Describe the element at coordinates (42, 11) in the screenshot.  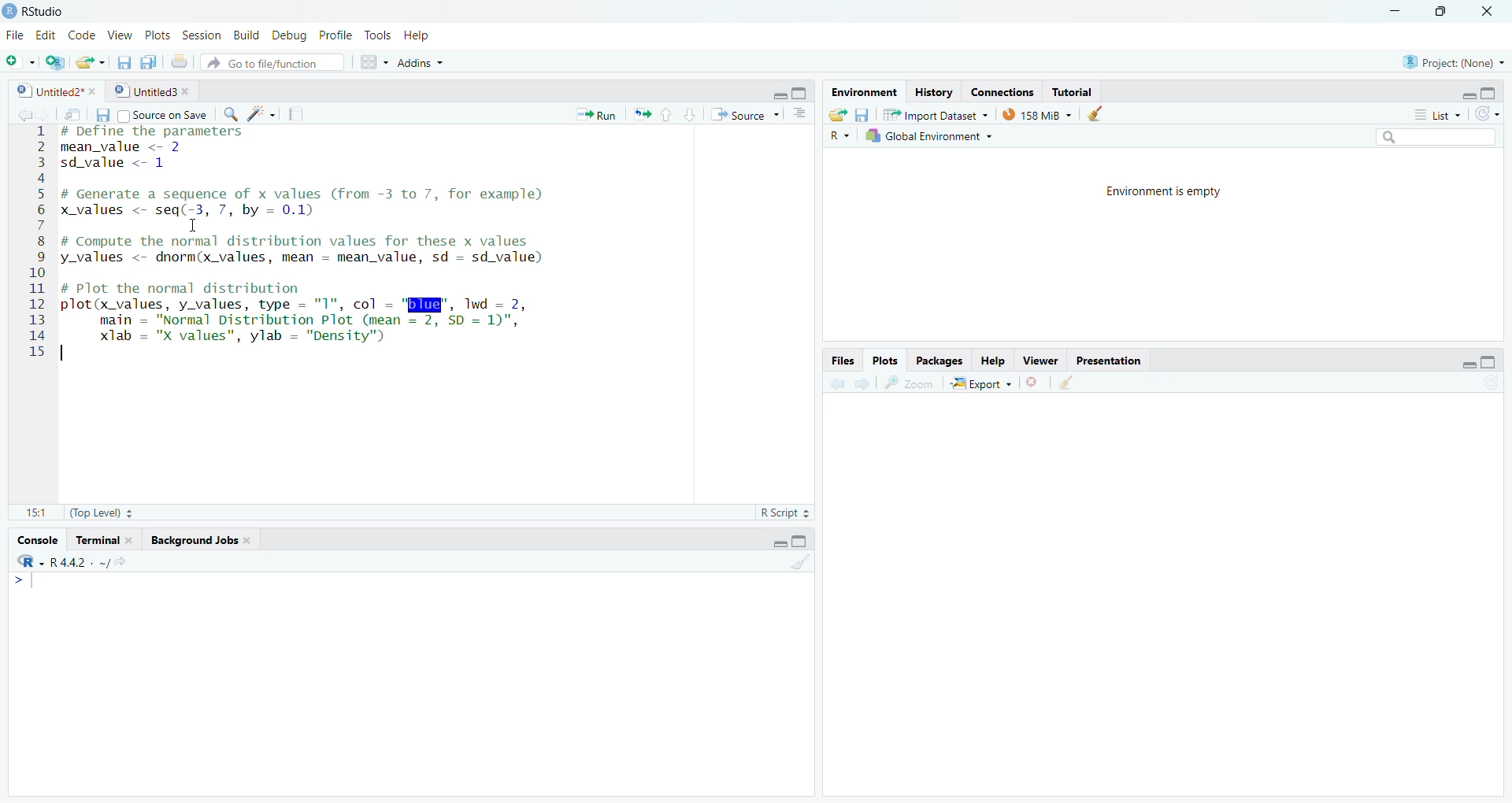
I see `RStudio` at that location.